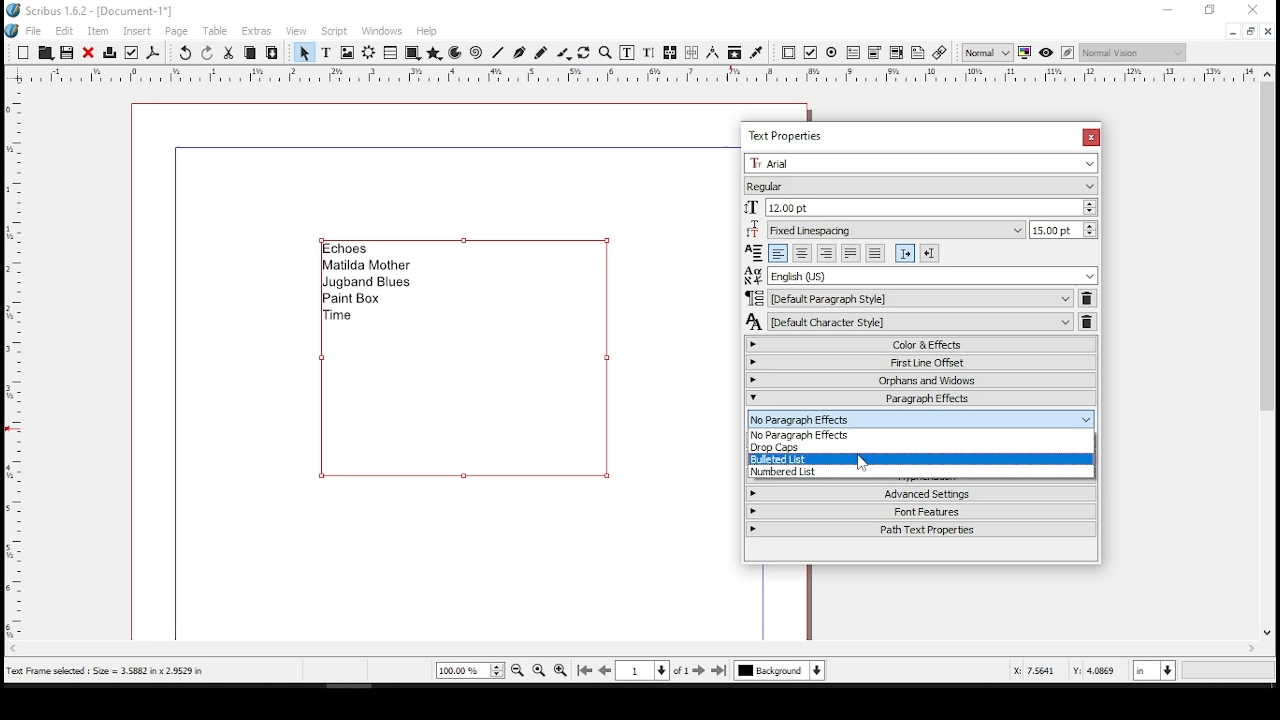 The image size is (1280, 720). I want to click on scroll bar, so click(1265, 362).